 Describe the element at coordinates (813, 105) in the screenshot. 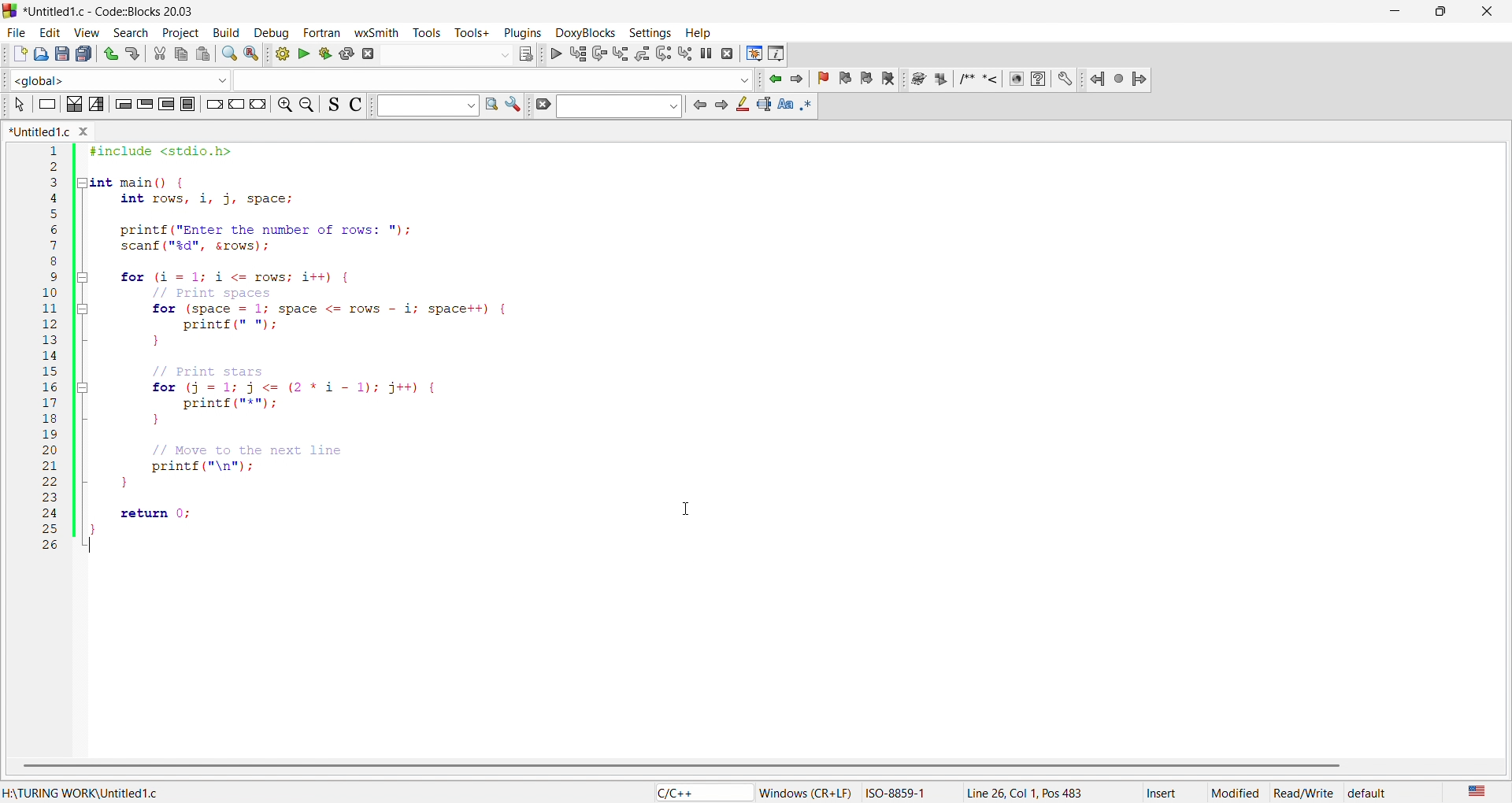

I see `icon` at that location.